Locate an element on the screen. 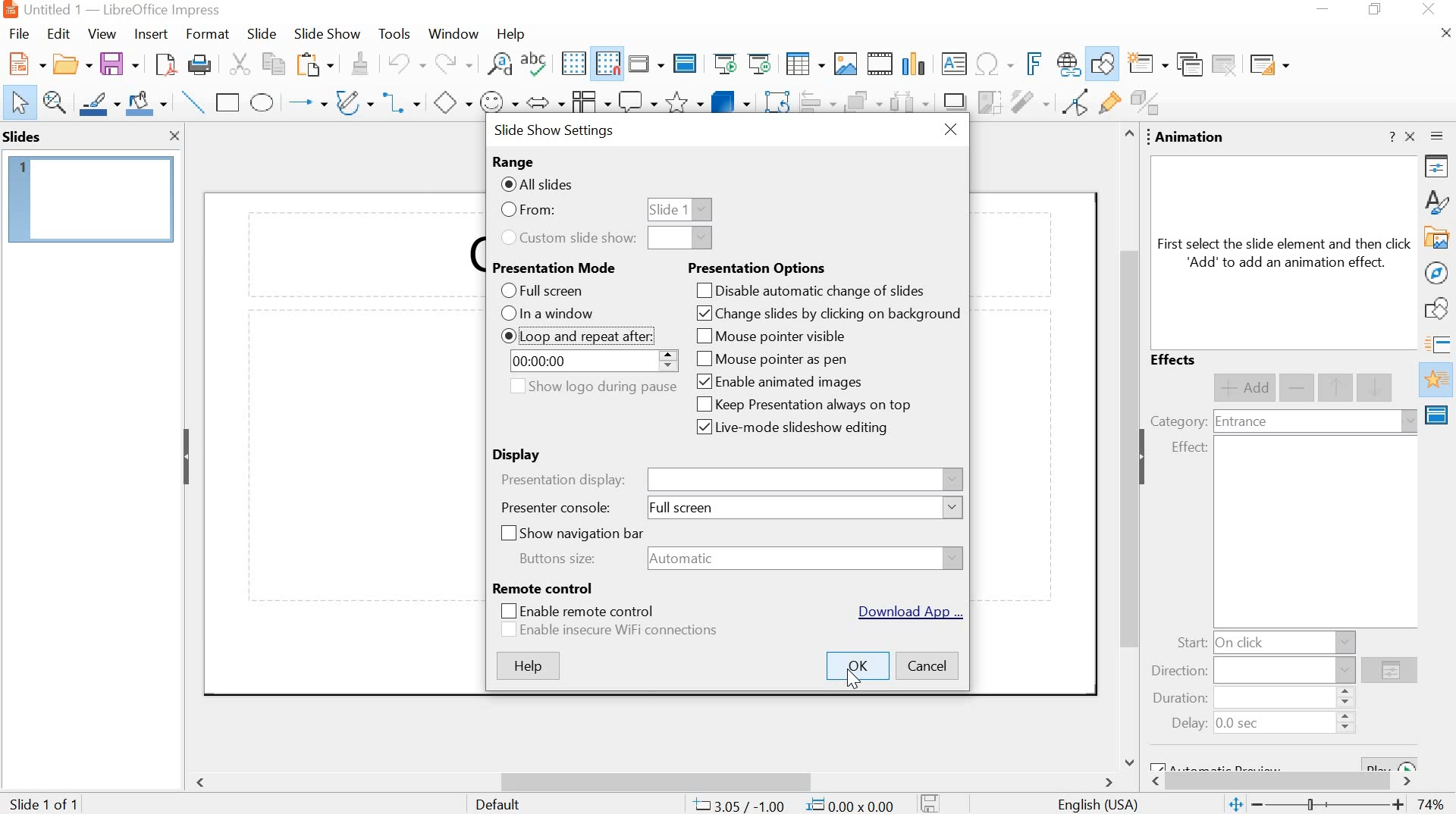 The height and width of the screenshot is (814, 1456). shapes is located at coordinates (1439, 311).